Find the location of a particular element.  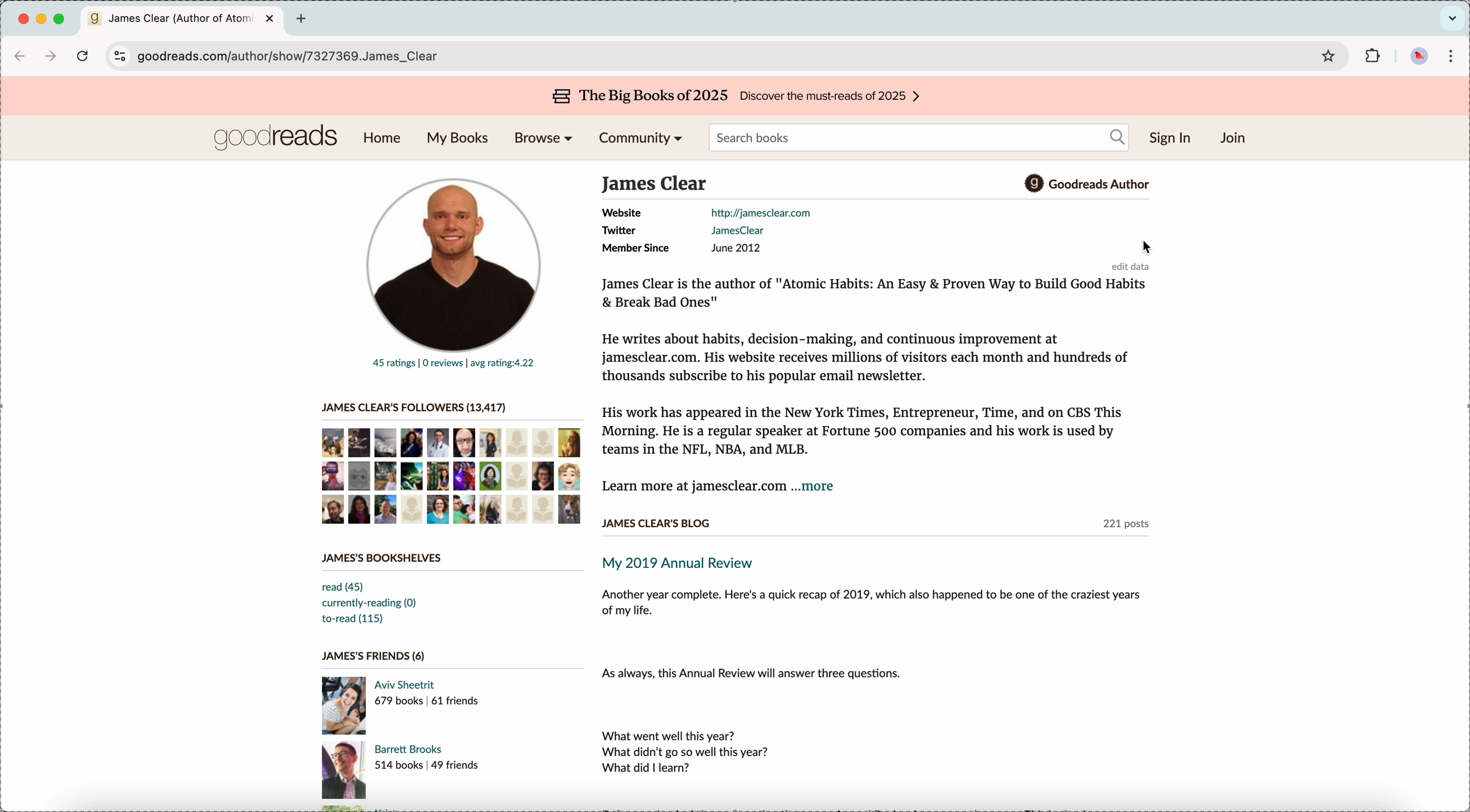

221 posts is located at coordinates (1126, 527).